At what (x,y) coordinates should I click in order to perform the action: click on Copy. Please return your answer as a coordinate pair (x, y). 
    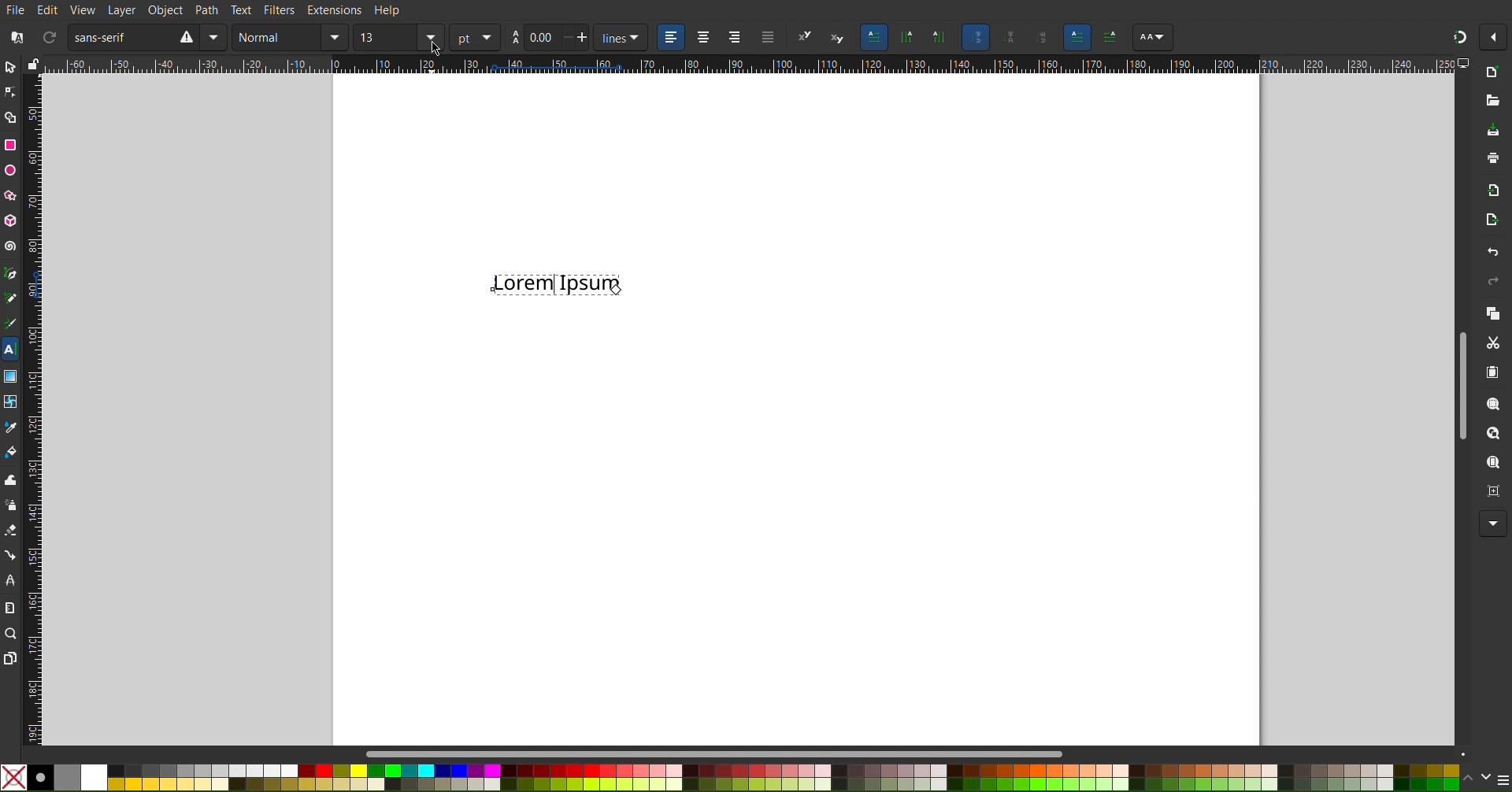
    Looking at the image, I should click on (1492, 313).